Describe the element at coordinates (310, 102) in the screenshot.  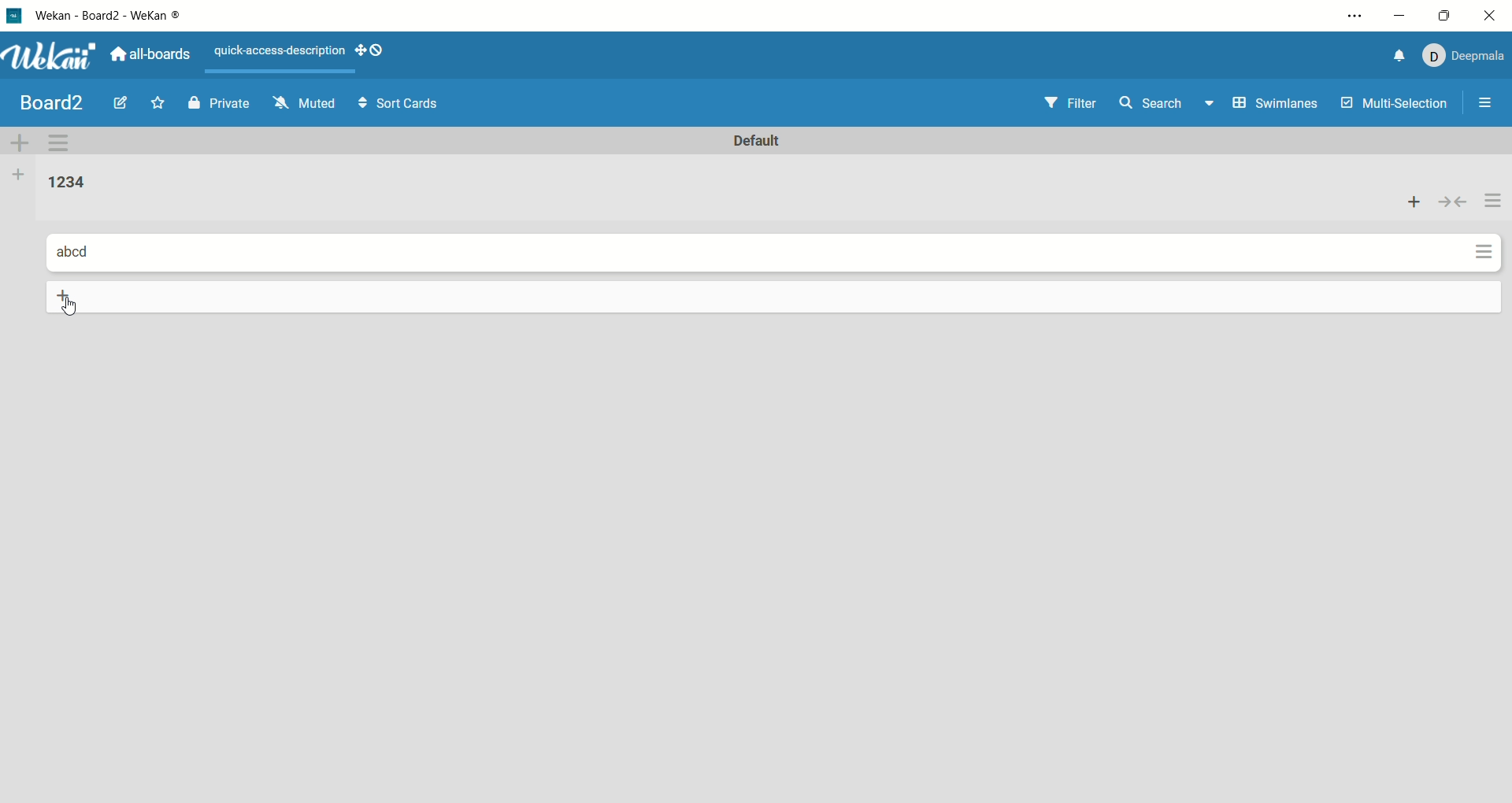
I see `muted` at that location.